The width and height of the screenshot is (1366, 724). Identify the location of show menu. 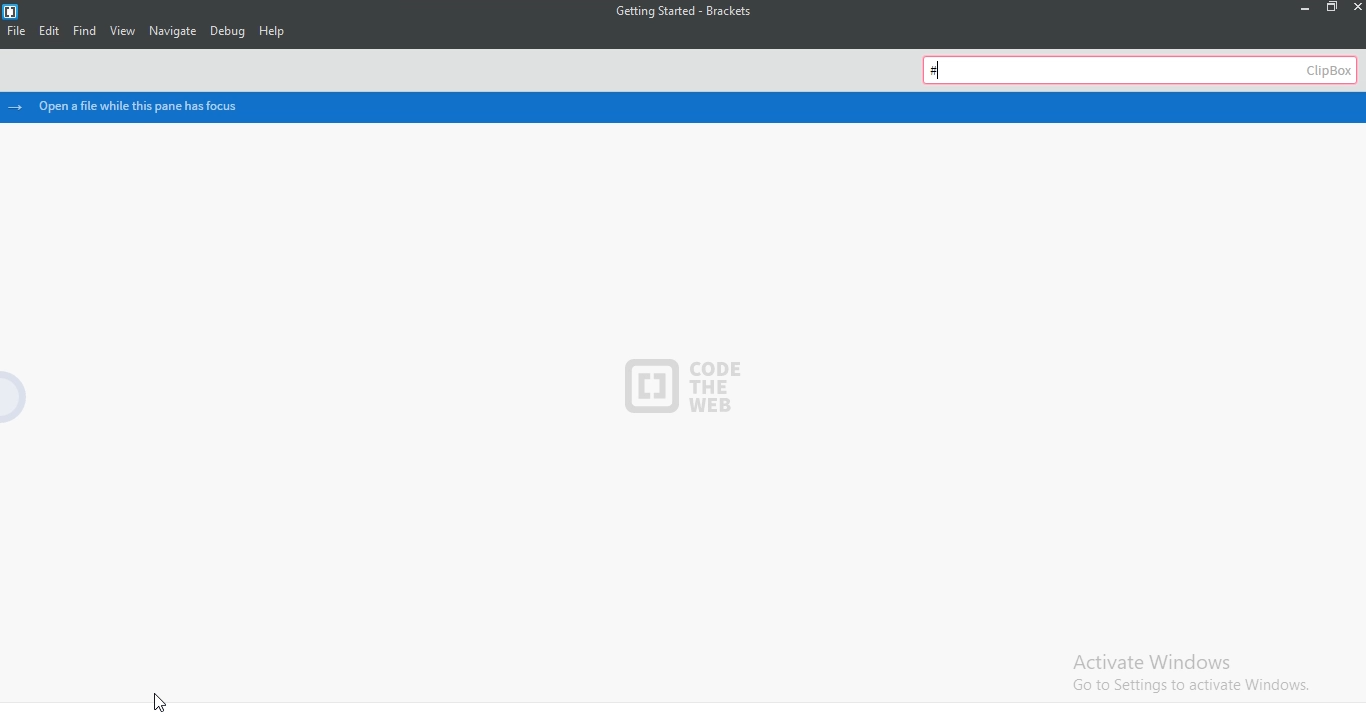
(29, 397).